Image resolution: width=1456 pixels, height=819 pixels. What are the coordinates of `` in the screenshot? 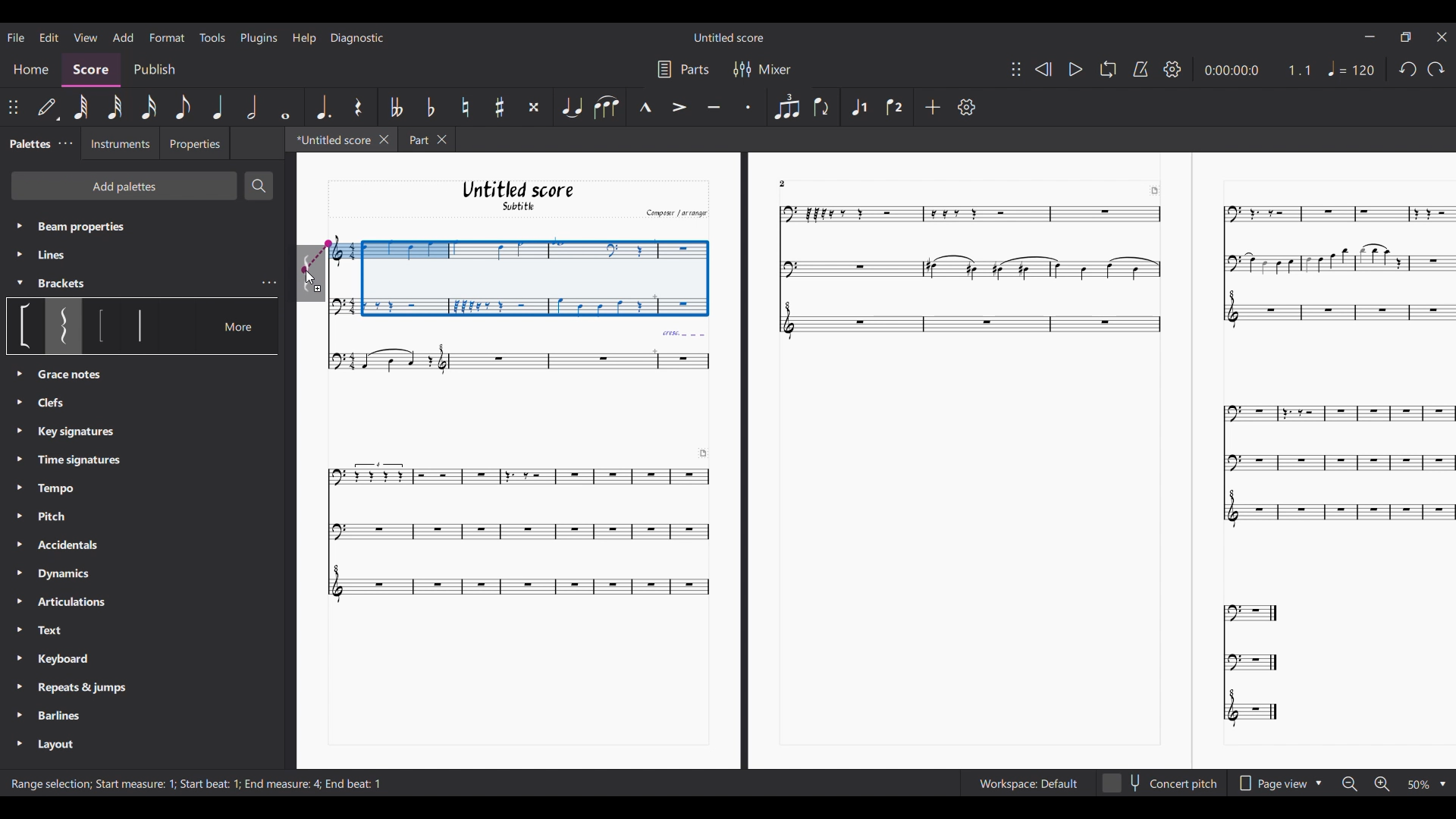 It's located at (16, 745).